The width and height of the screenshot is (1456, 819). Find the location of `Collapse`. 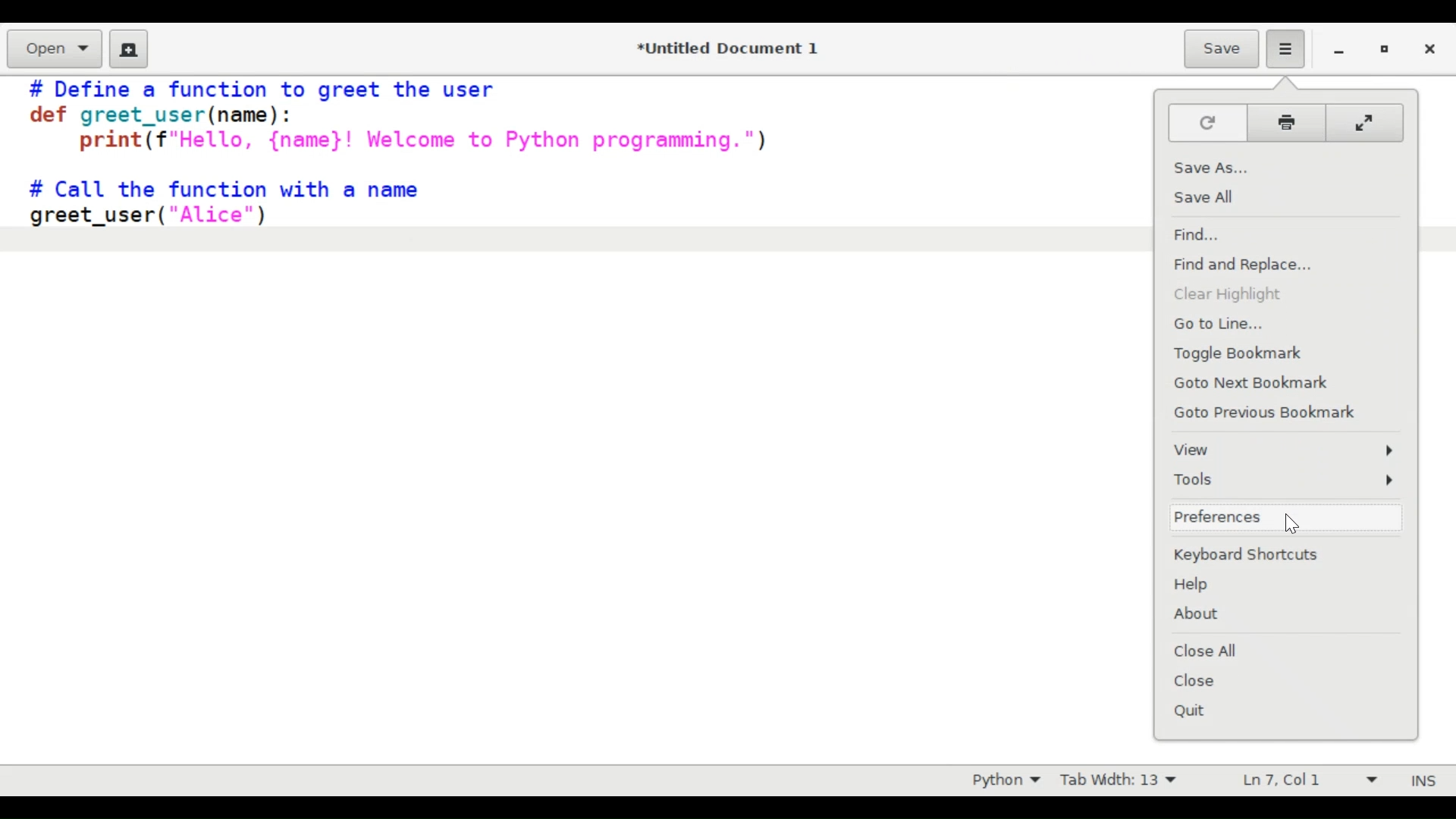

Collapse is located at coordinates (1363, 124).